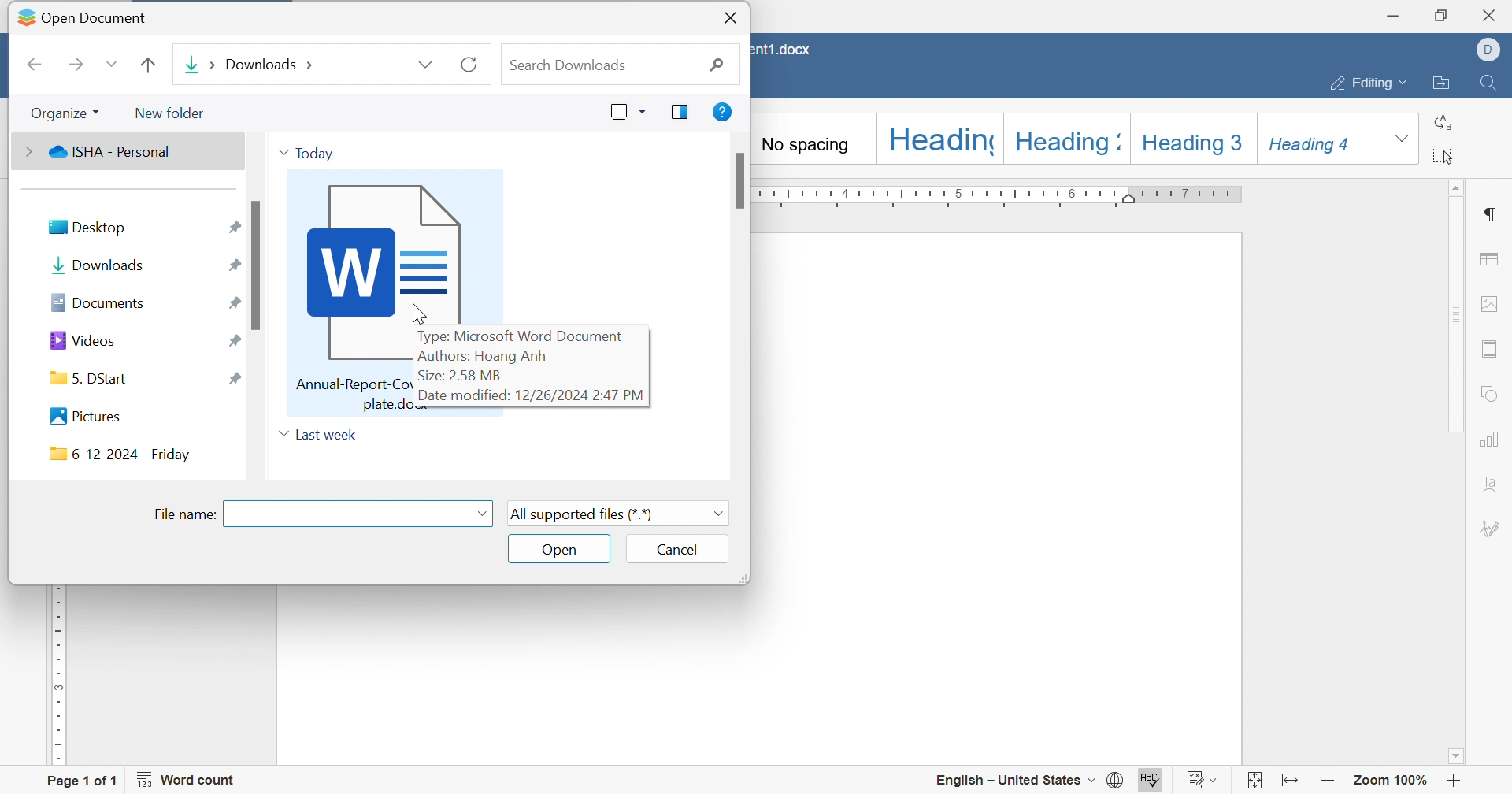 The width and height of the screenshot is (1512, 794). I want to click on drop down, so click(482, 517).